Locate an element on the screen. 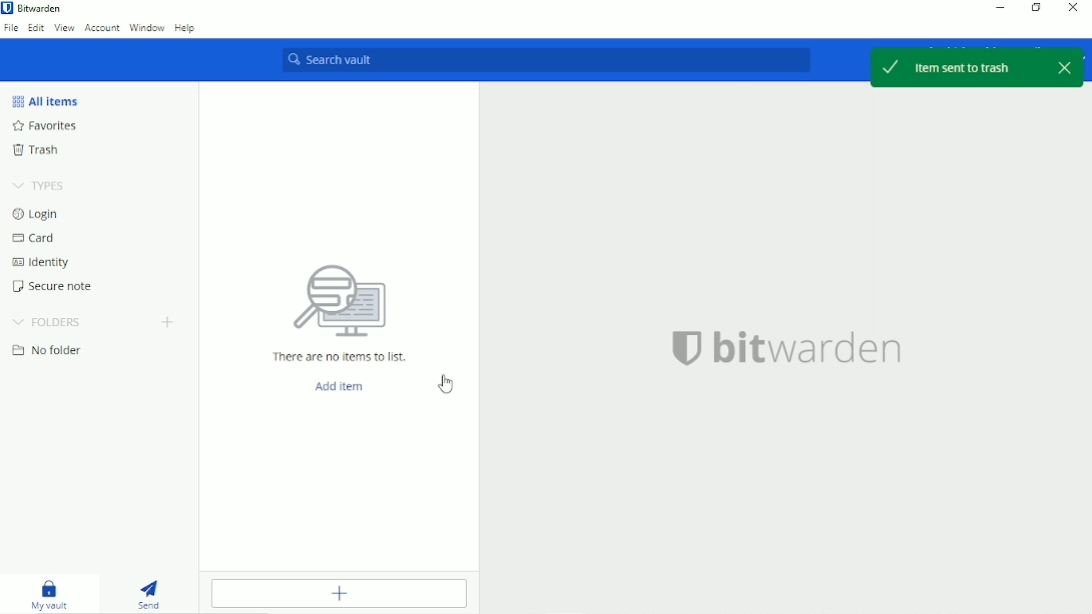  My vault is located at coordinates (51, 594).